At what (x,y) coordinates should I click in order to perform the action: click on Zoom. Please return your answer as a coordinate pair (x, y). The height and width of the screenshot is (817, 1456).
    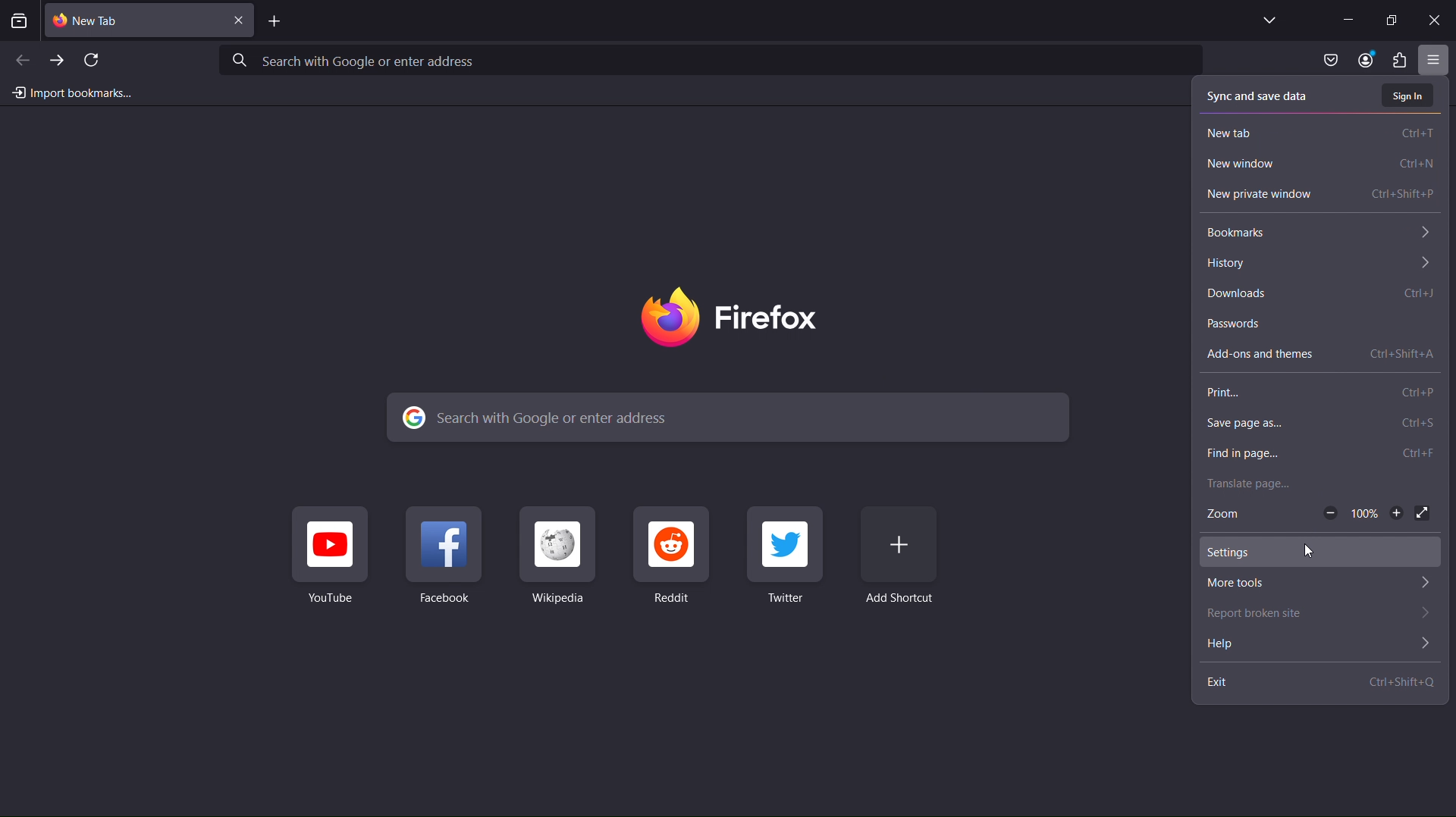
    Looking at the image, I should click on (1325, 521).